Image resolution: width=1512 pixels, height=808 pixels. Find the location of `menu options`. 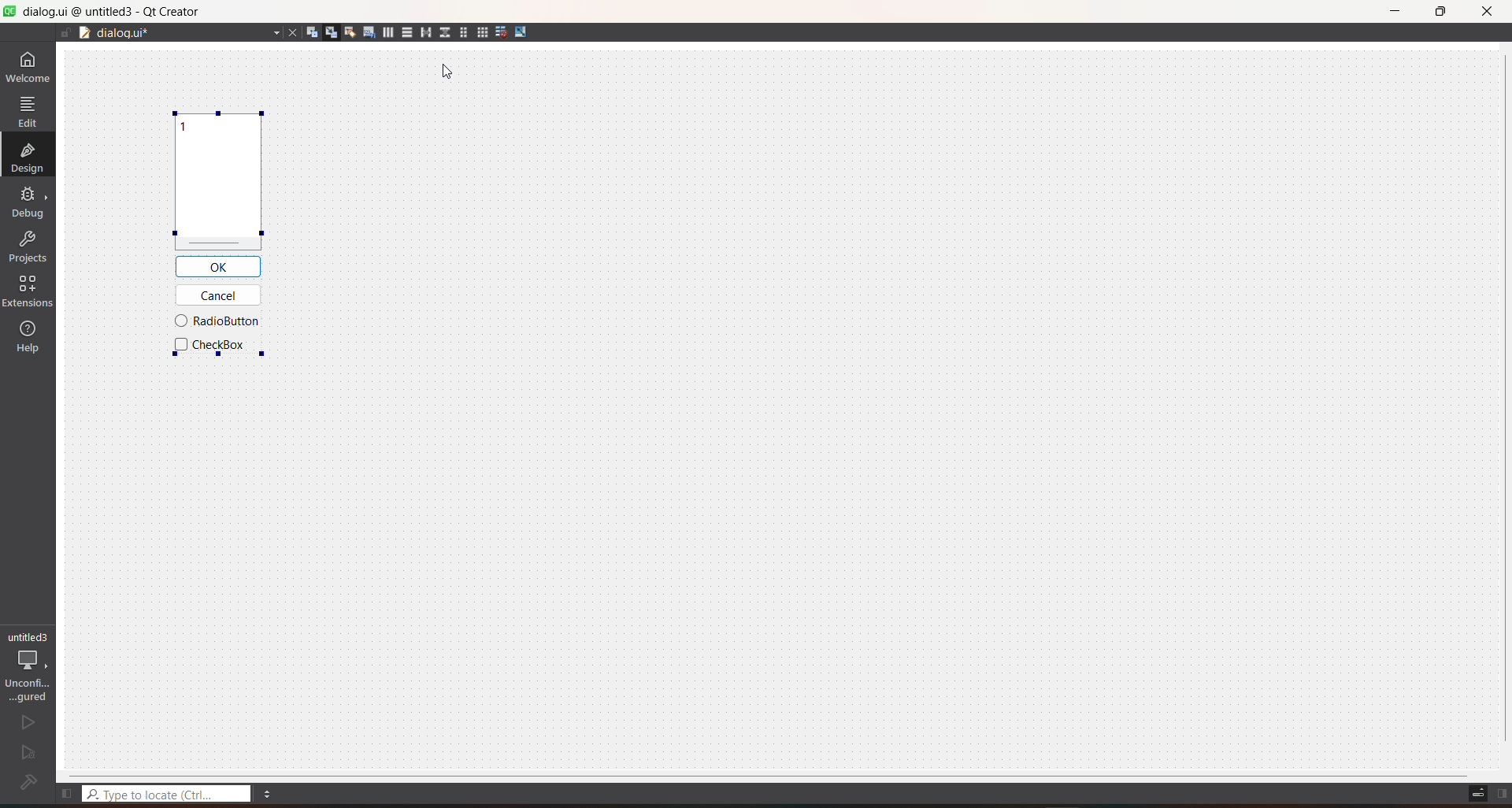

menu options is located at coordinates (272, 795).